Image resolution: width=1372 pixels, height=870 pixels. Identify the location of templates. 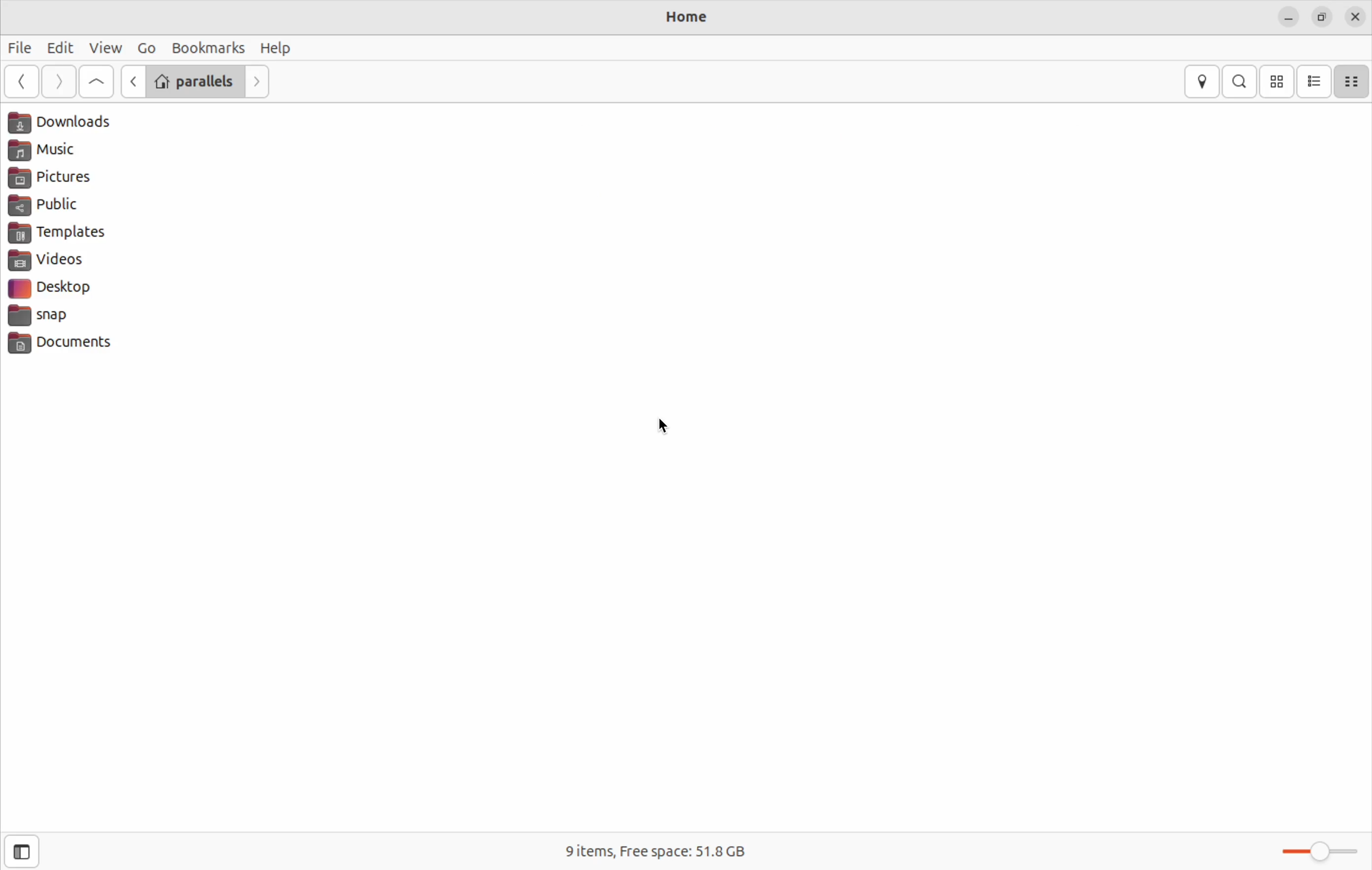
(68, 234).